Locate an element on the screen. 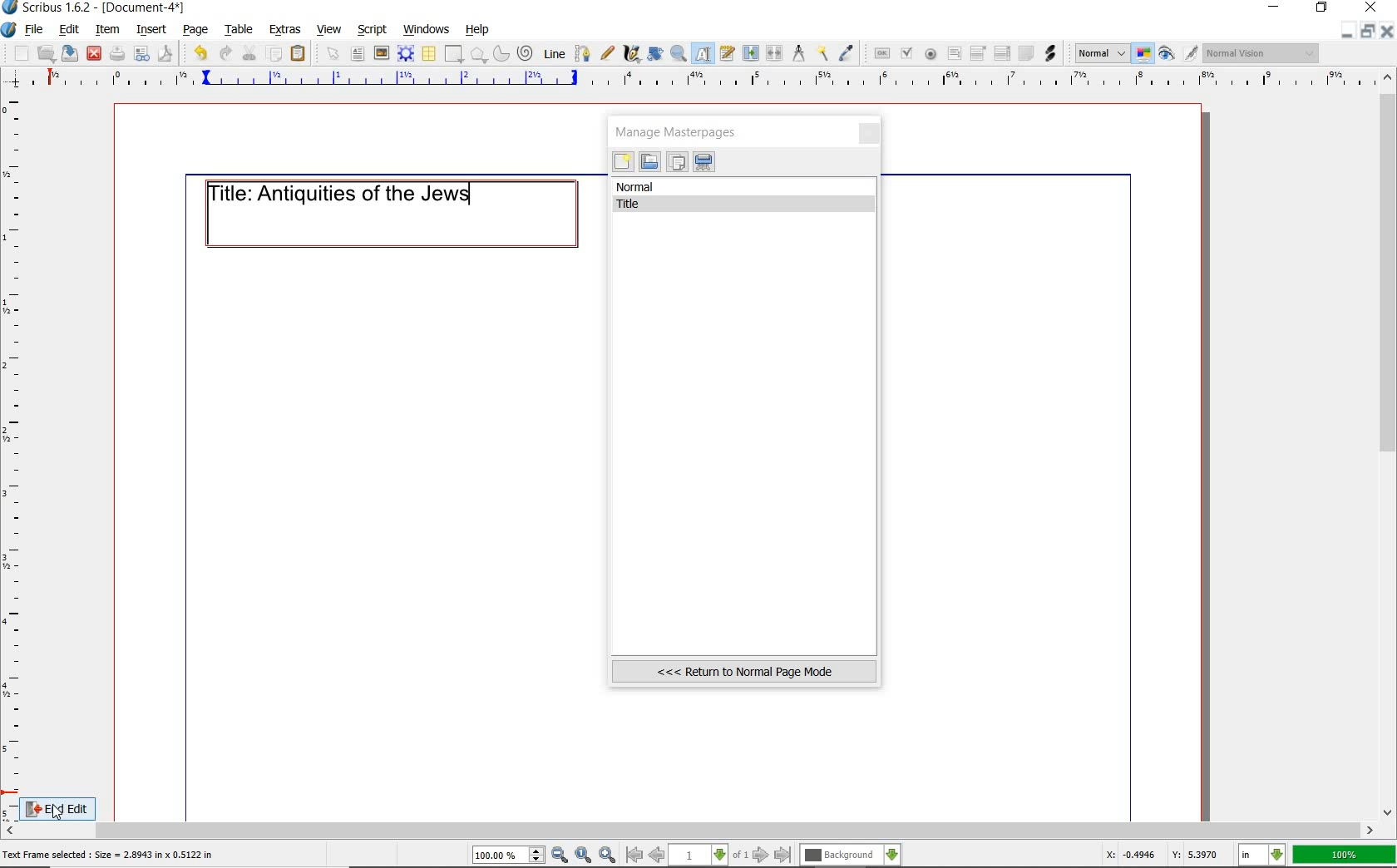 This screenshot has width=1397, height=868. preview mode is located at coordinates (1179, 53).